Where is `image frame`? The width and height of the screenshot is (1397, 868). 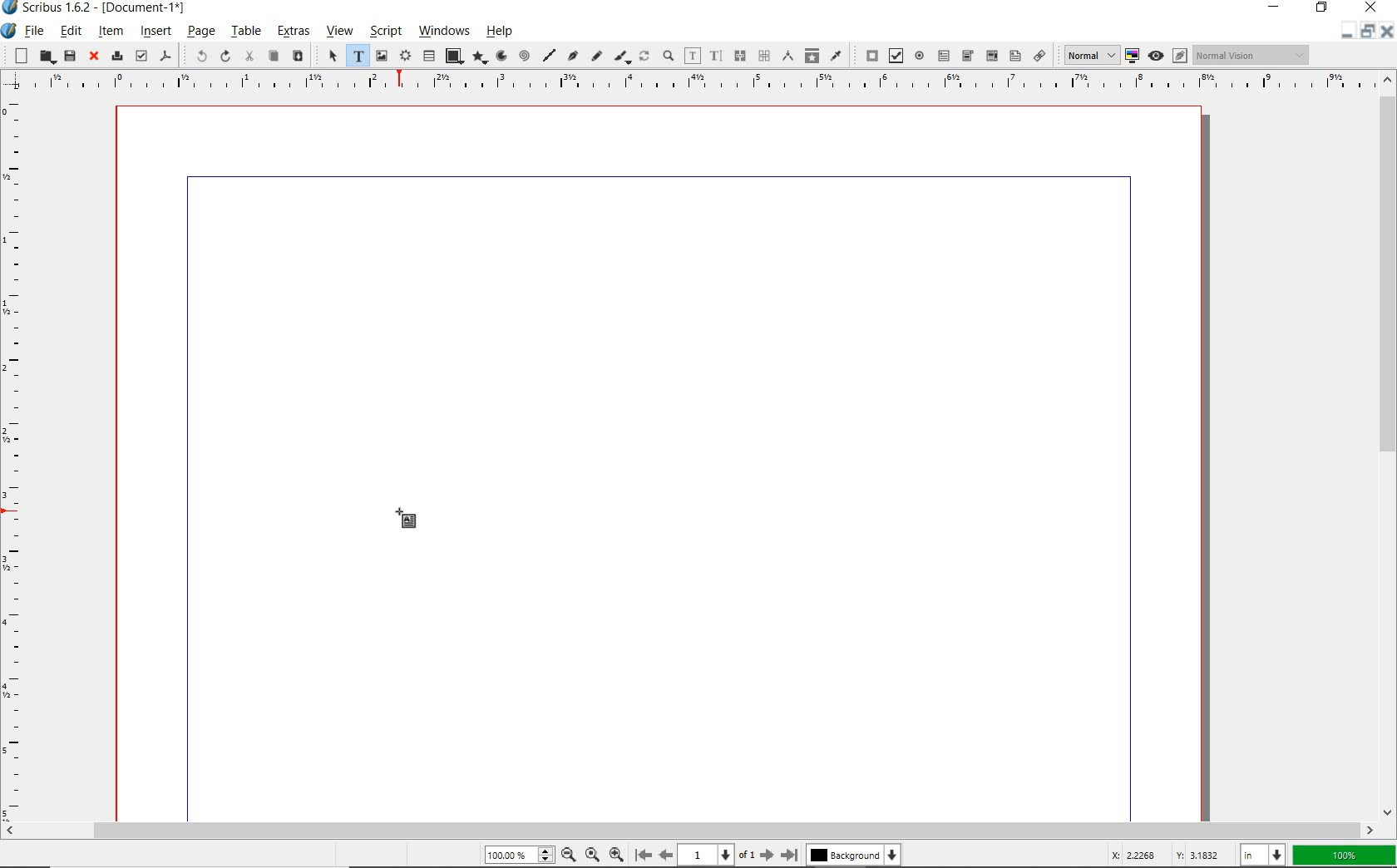
image frame is located at coordinates (383, 56).